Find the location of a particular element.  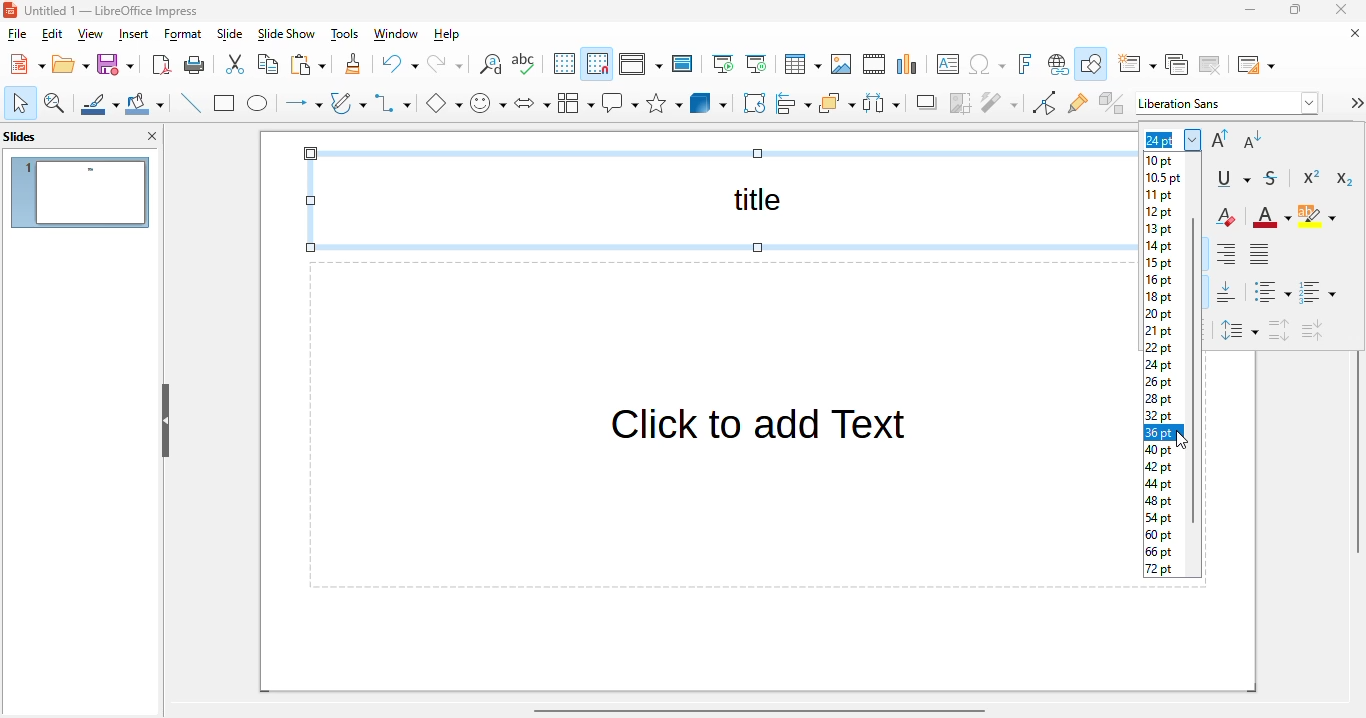

start from first slide is located at coordinates (725, 64).